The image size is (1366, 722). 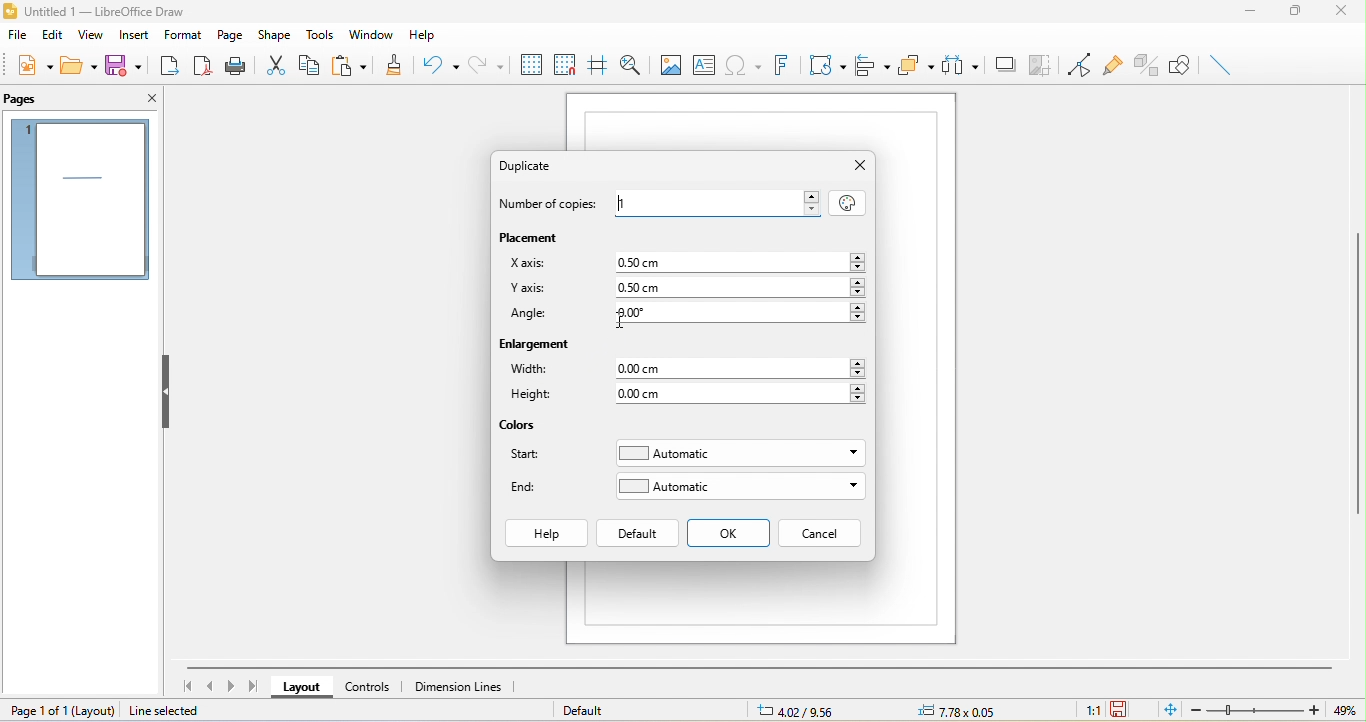 I want to click on hide, so click(x=168, y=390).